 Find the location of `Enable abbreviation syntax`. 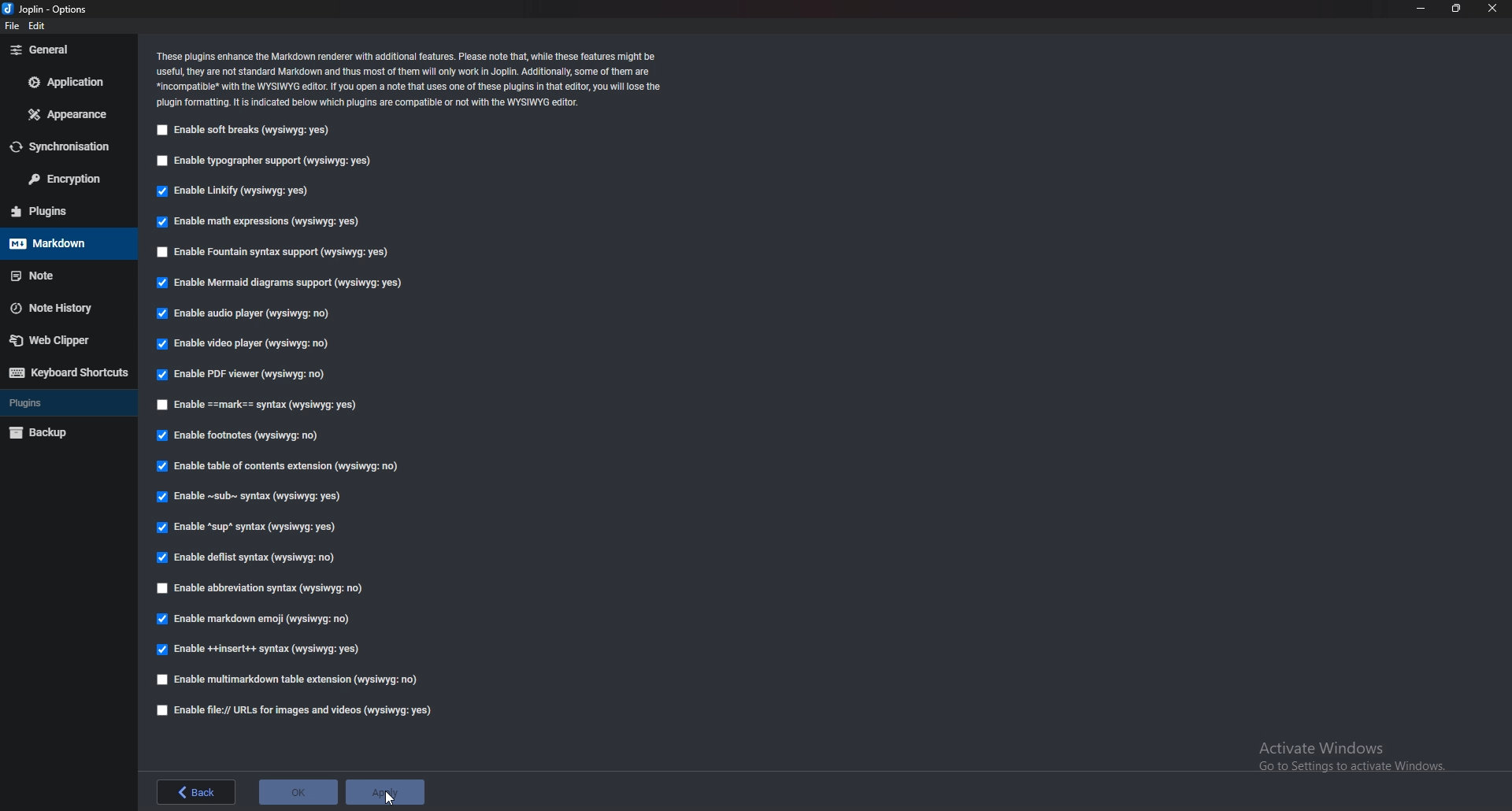

Enable abbreviation syntax is located at coordinates (261, 590).